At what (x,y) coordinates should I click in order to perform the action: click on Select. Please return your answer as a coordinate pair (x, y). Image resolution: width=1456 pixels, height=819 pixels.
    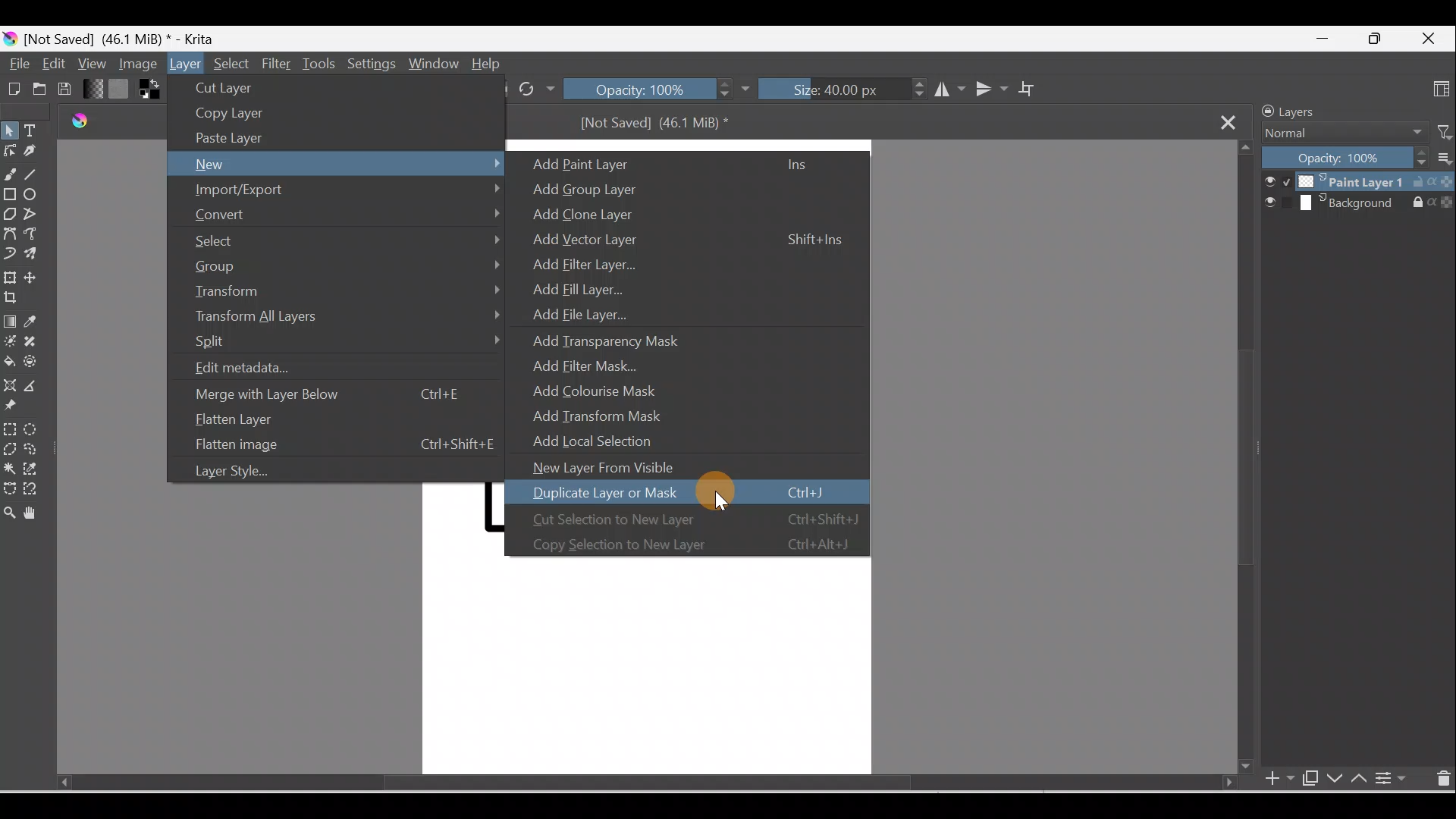
    Looking at the image, I should click on (231, 61).